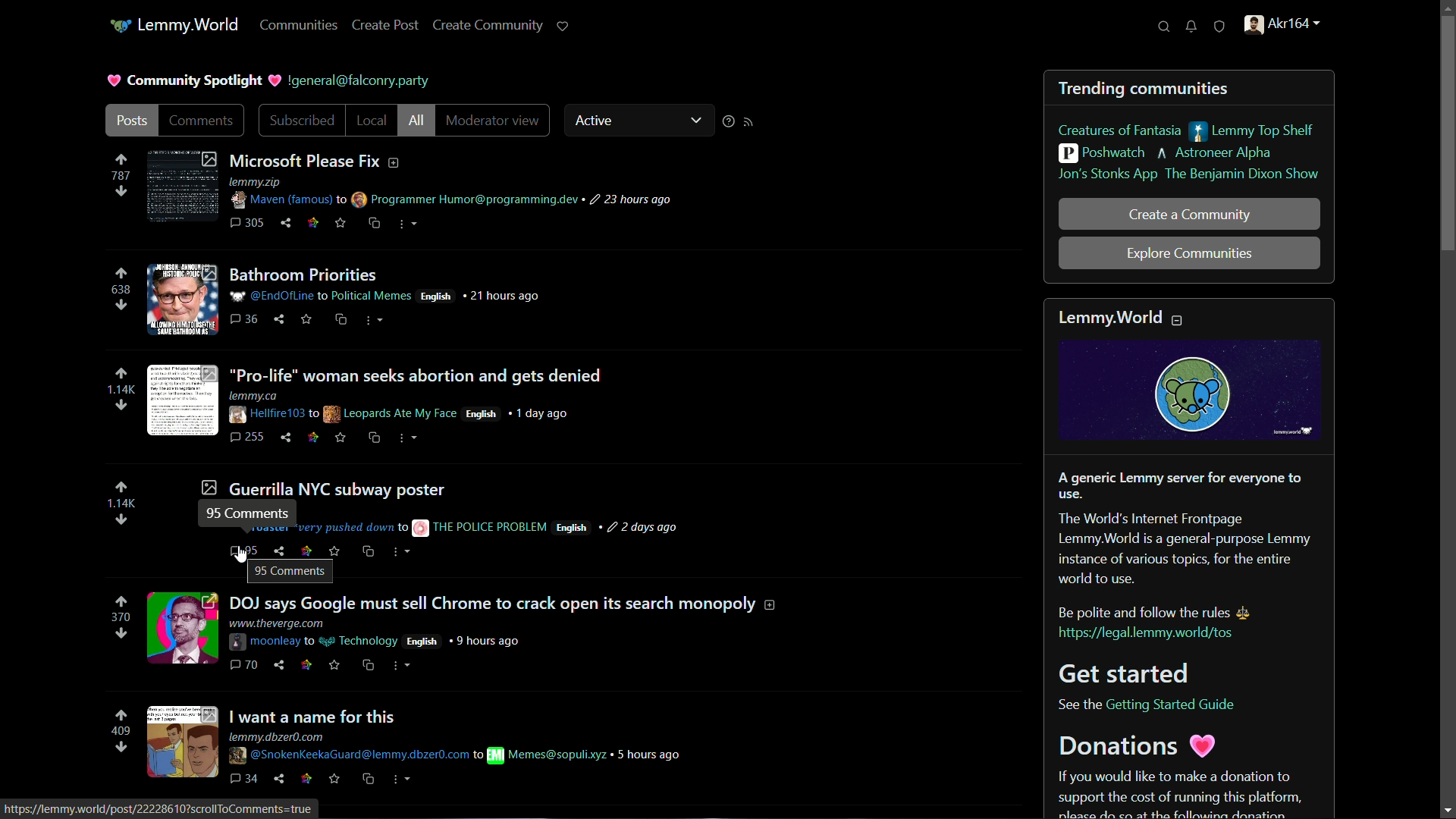 Image resolution: width=1456 pixels, height=819 pixels. Describe the element at coordinates (307, 666) in the screenshot. I see `icon` at that location.